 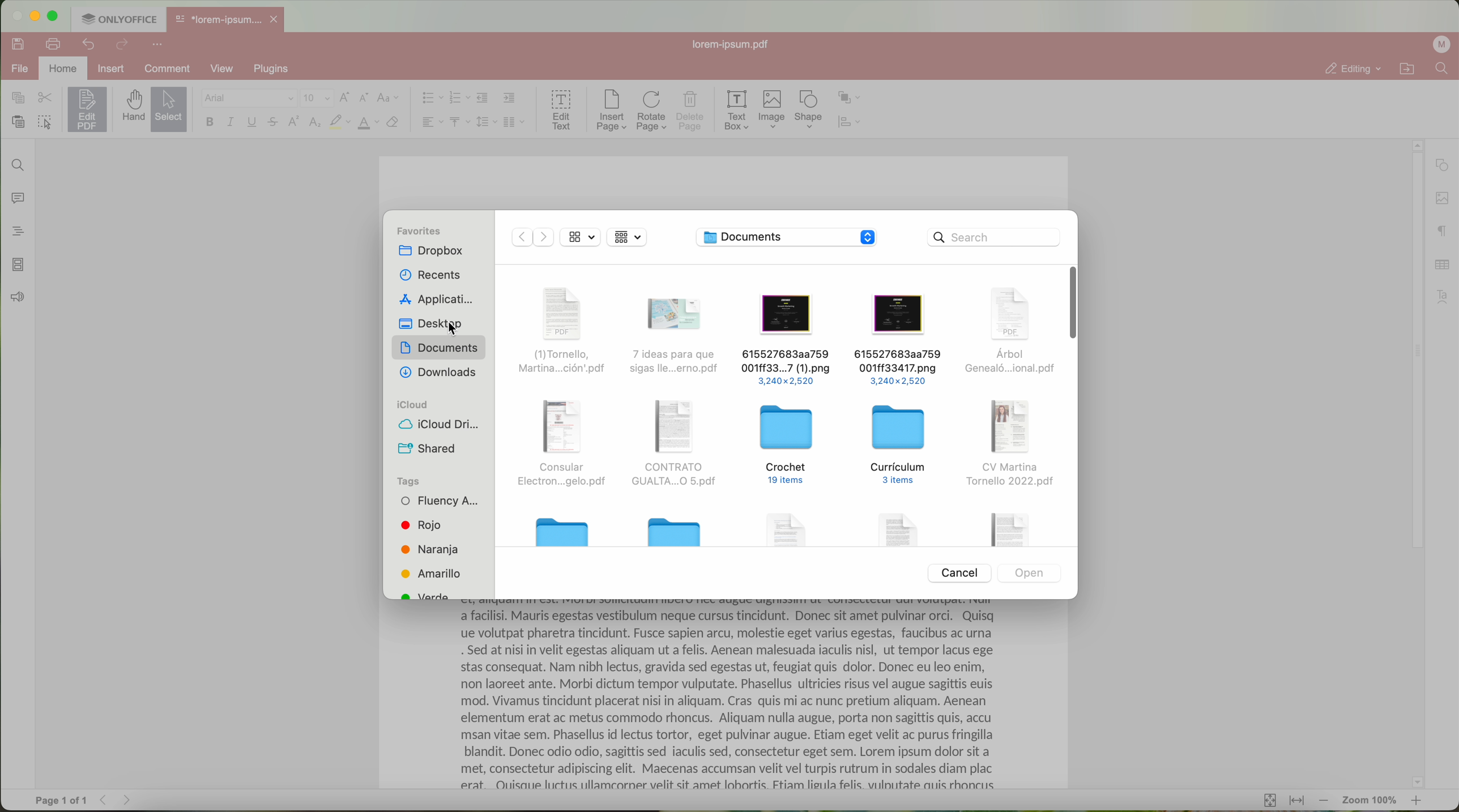 What do you see at coordinates (112, 68) in the screenshot?
I see `insert` at bounding box center [112, 68].